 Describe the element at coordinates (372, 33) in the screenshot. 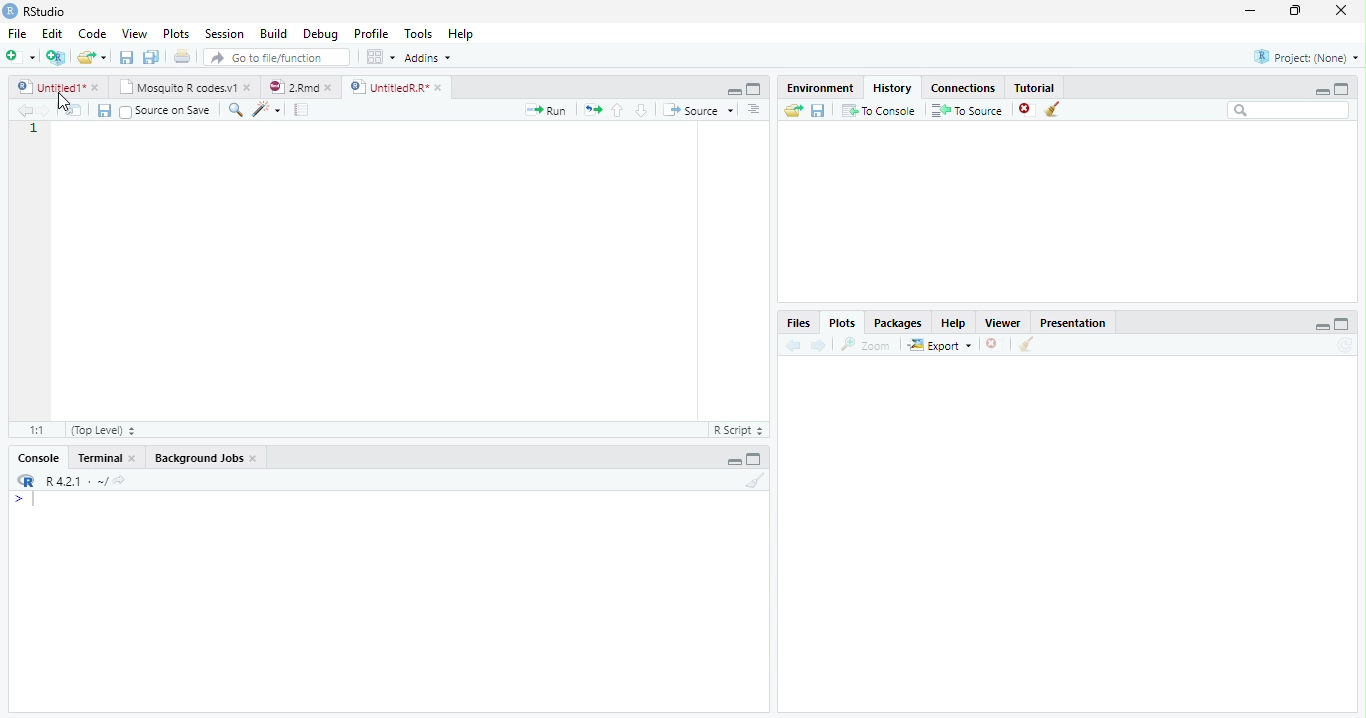

I see `Profile` at that location.